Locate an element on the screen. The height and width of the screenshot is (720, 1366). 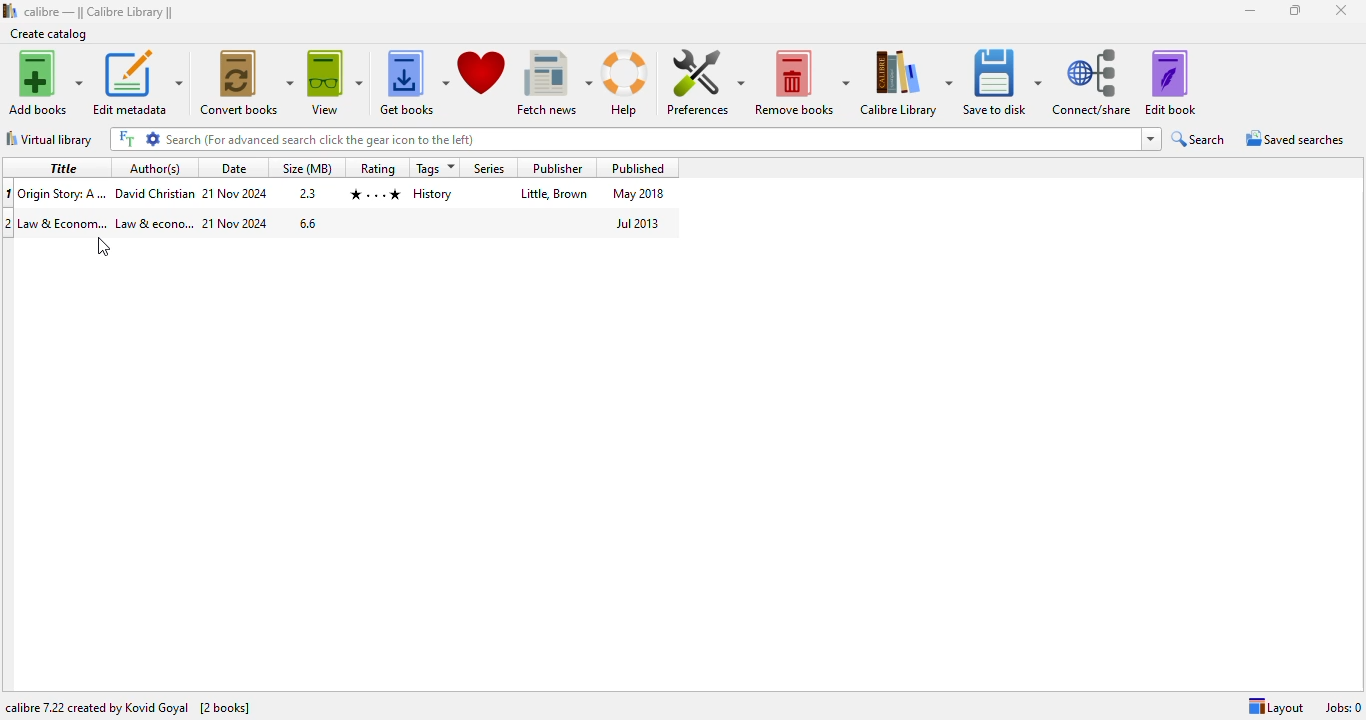
publisher is located at coordinates (554, 167).